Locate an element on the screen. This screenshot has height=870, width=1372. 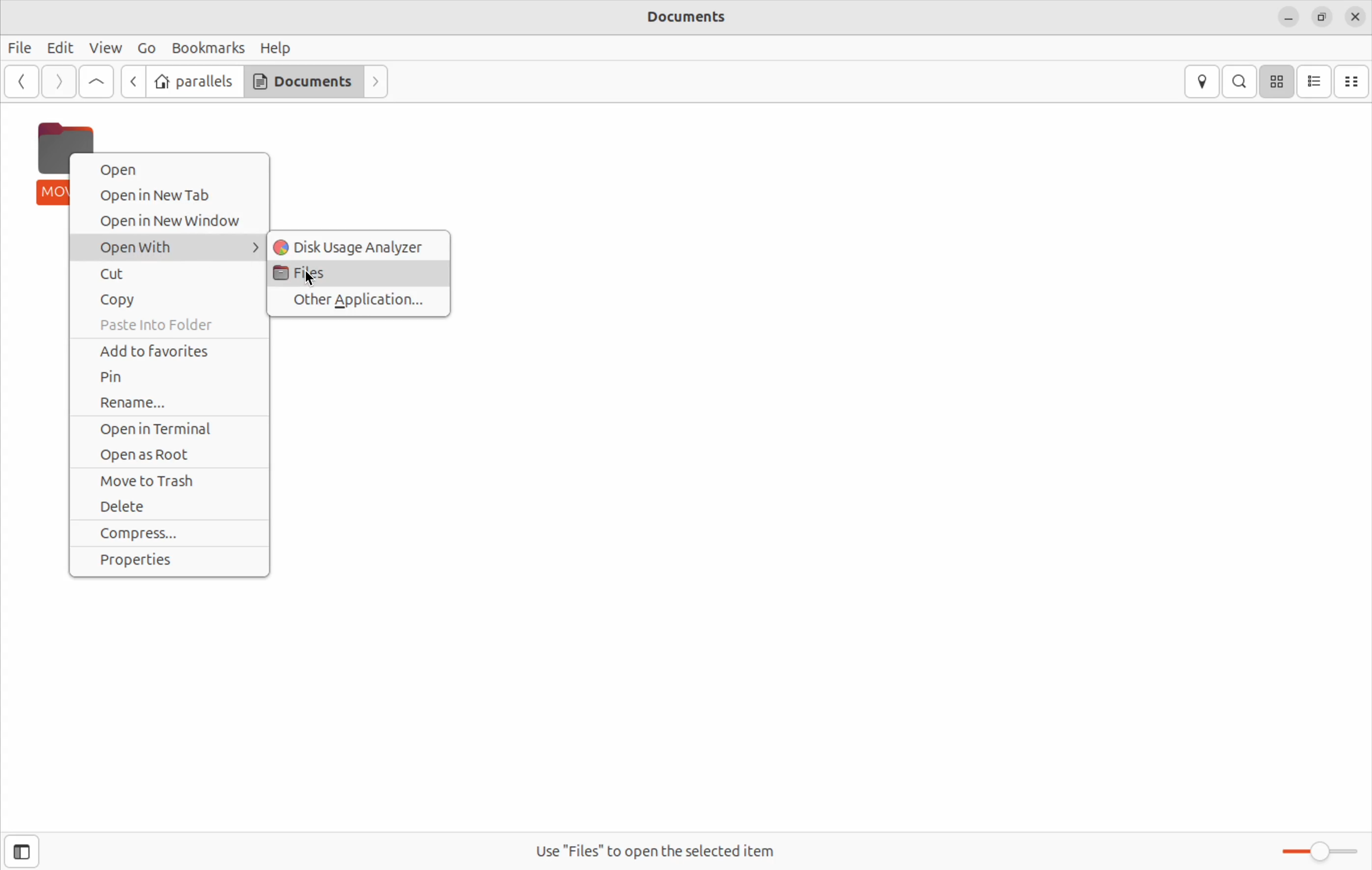
Open is located at coordinates (172, 169).